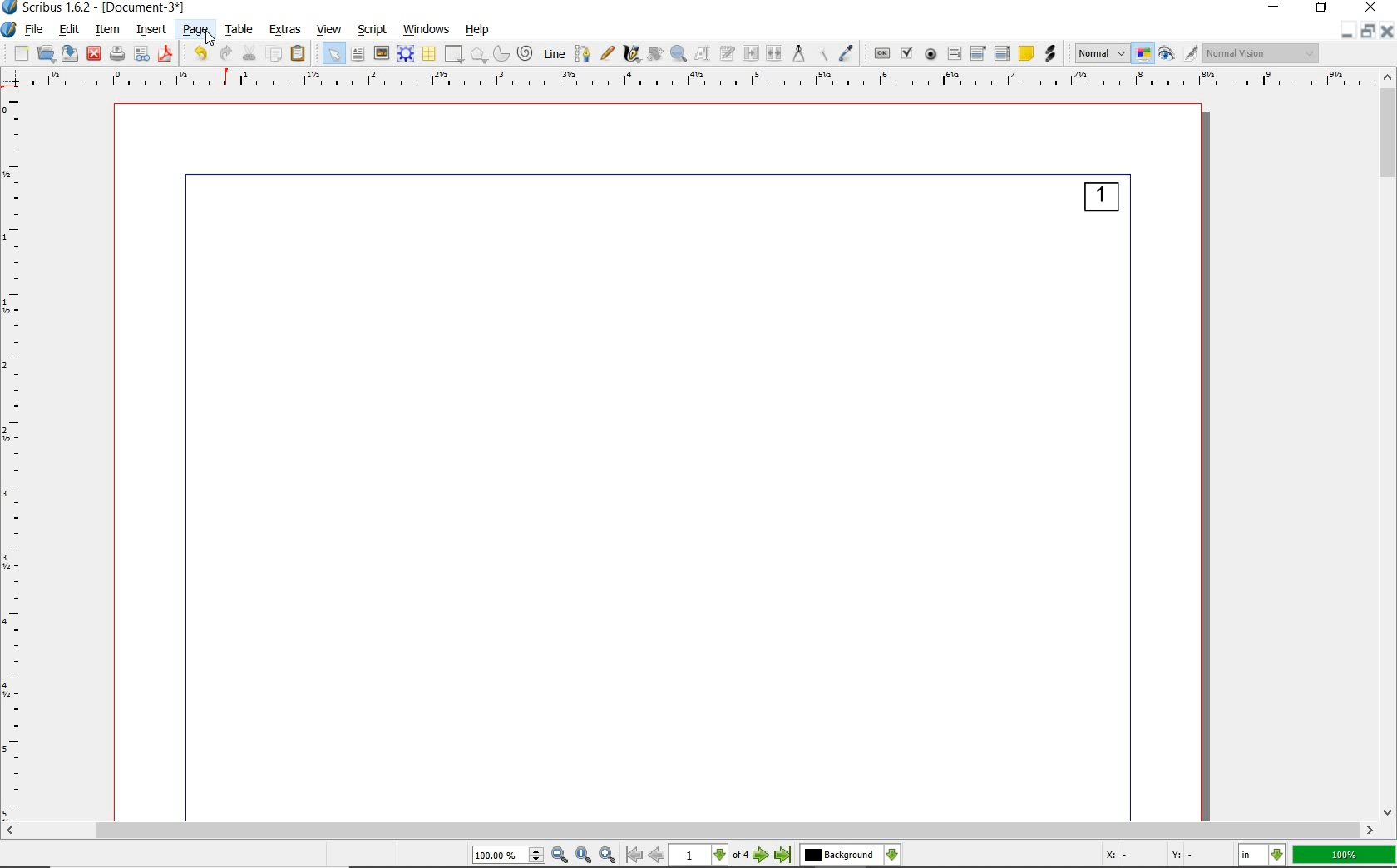 This screenshot has height=868, width=1397. I want to click on freehand line, so click(607, 54).